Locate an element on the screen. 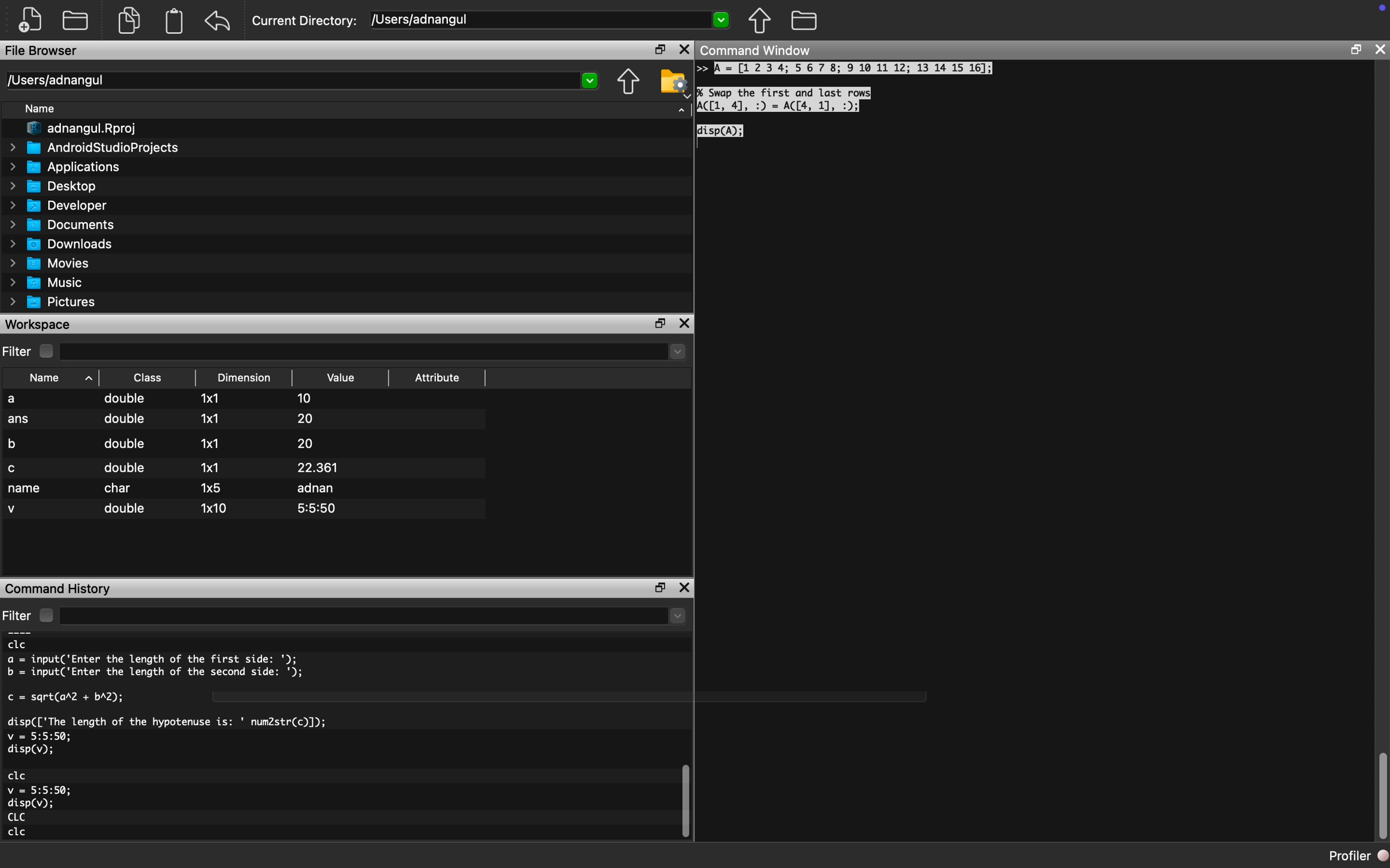 The height and width of the screenshot is (868, 1390). Name is located at coordinates (53, 375).